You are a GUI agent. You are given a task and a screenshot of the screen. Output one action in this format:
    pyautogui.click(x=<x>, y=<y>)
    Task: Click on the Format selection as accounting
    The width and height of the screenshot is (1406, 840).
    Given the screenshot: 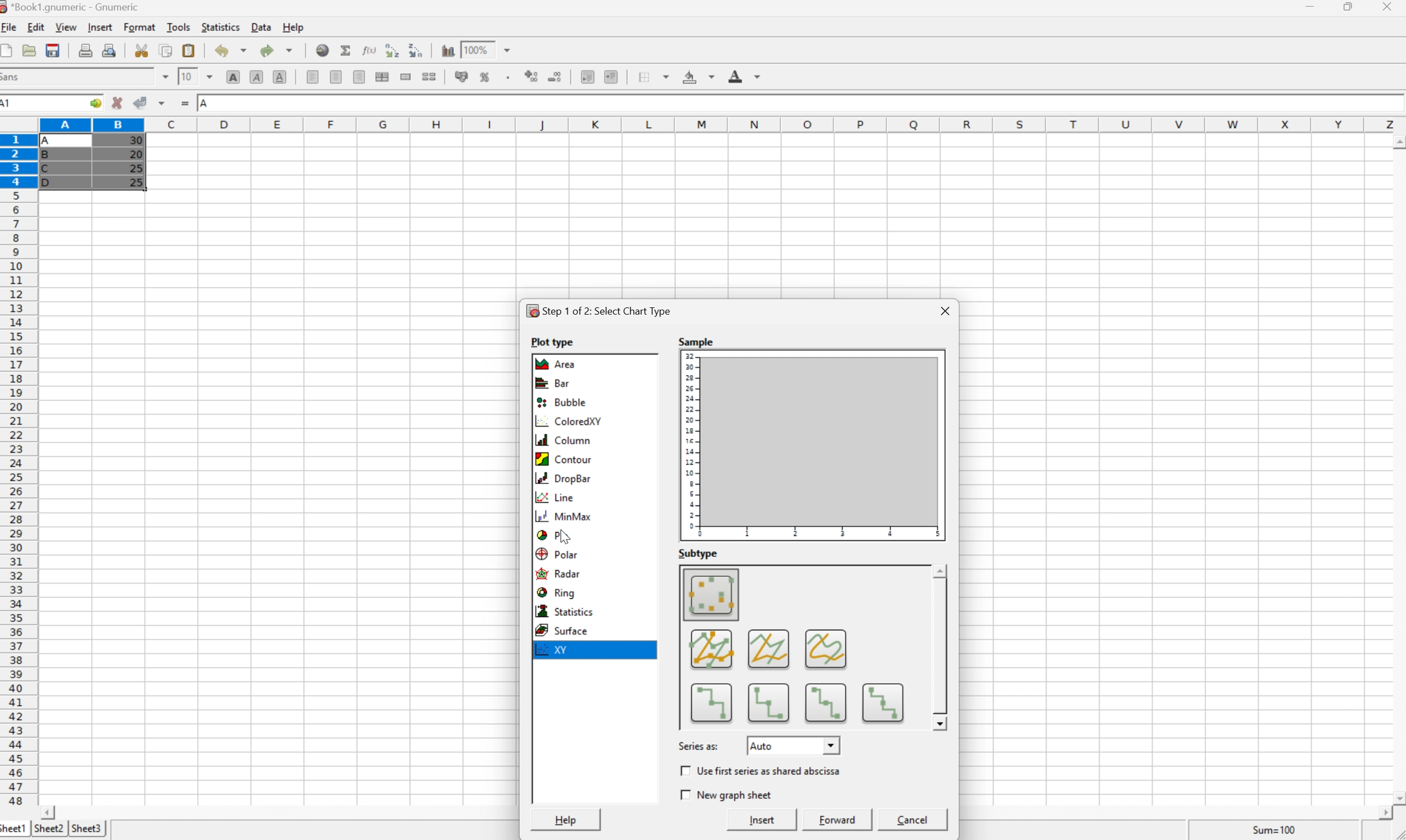 What is the action you would take?
    pyautogui.click(x=462, y=76)
    